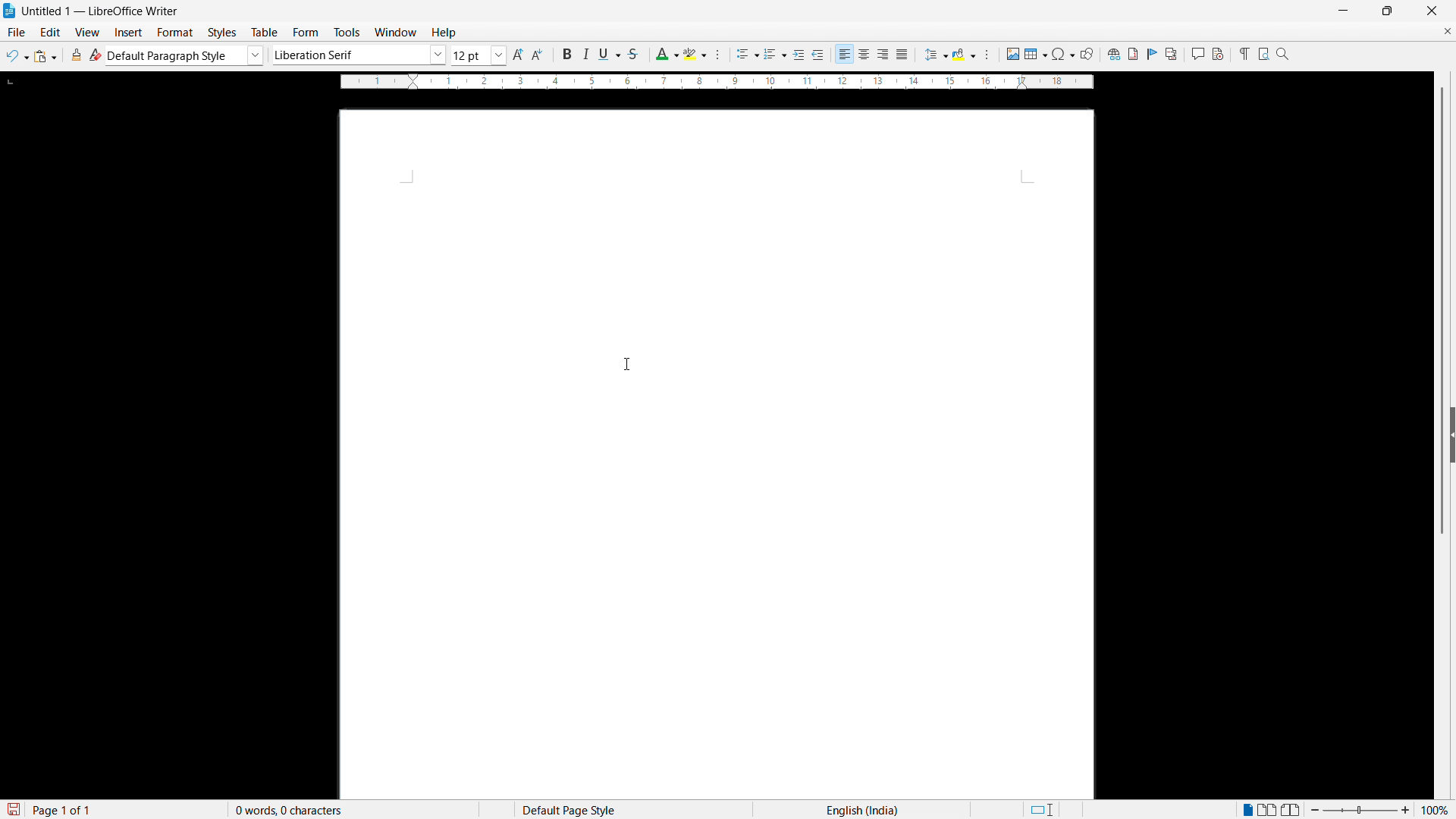  I want to click on Standard selection , so click(1040, 810).